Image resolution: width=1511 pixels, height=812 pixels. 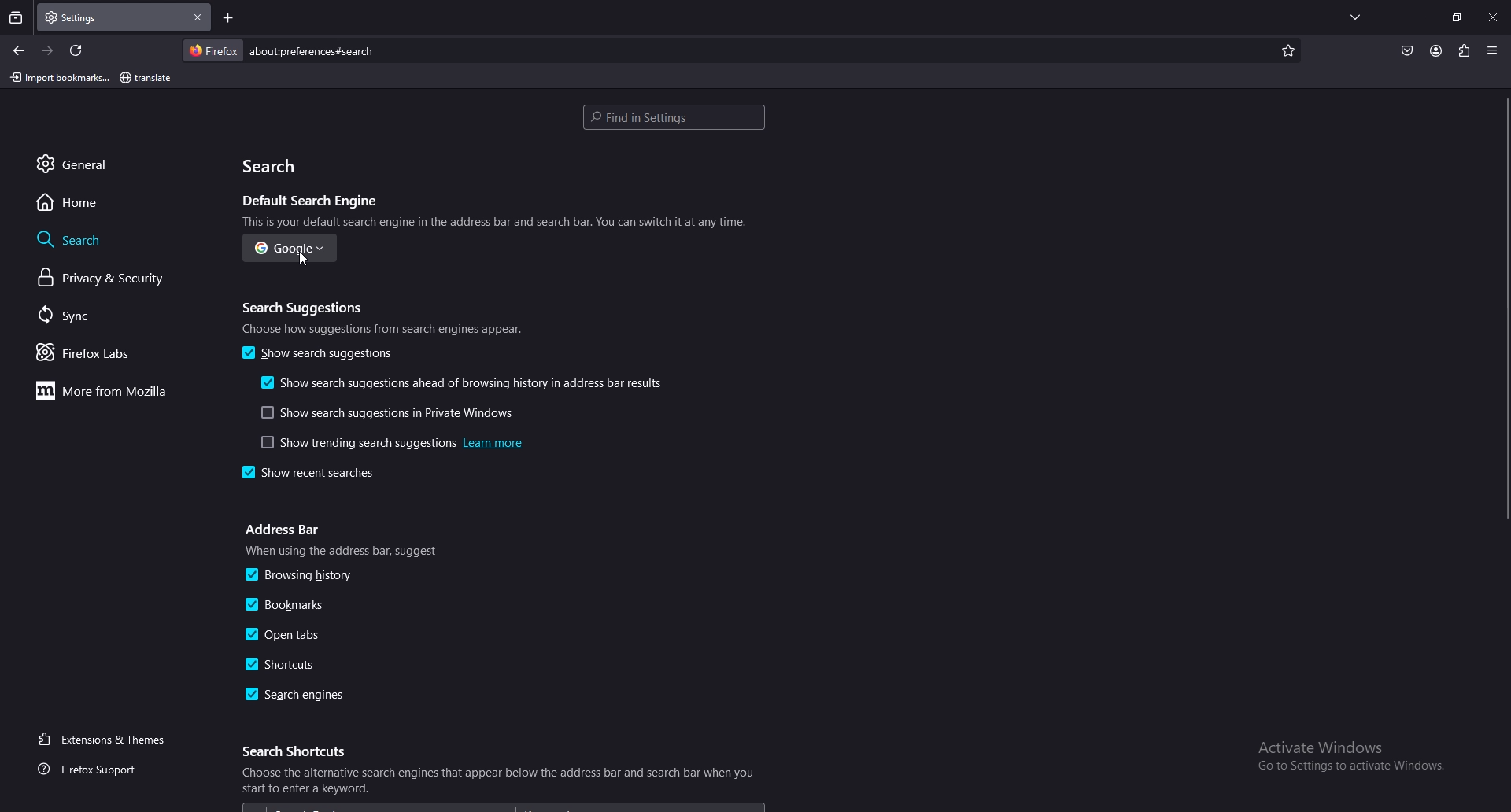 What do you see at coordinates (113, 279) in the screenshot?
I see `privacy and security` at bounding box center [113, 279].